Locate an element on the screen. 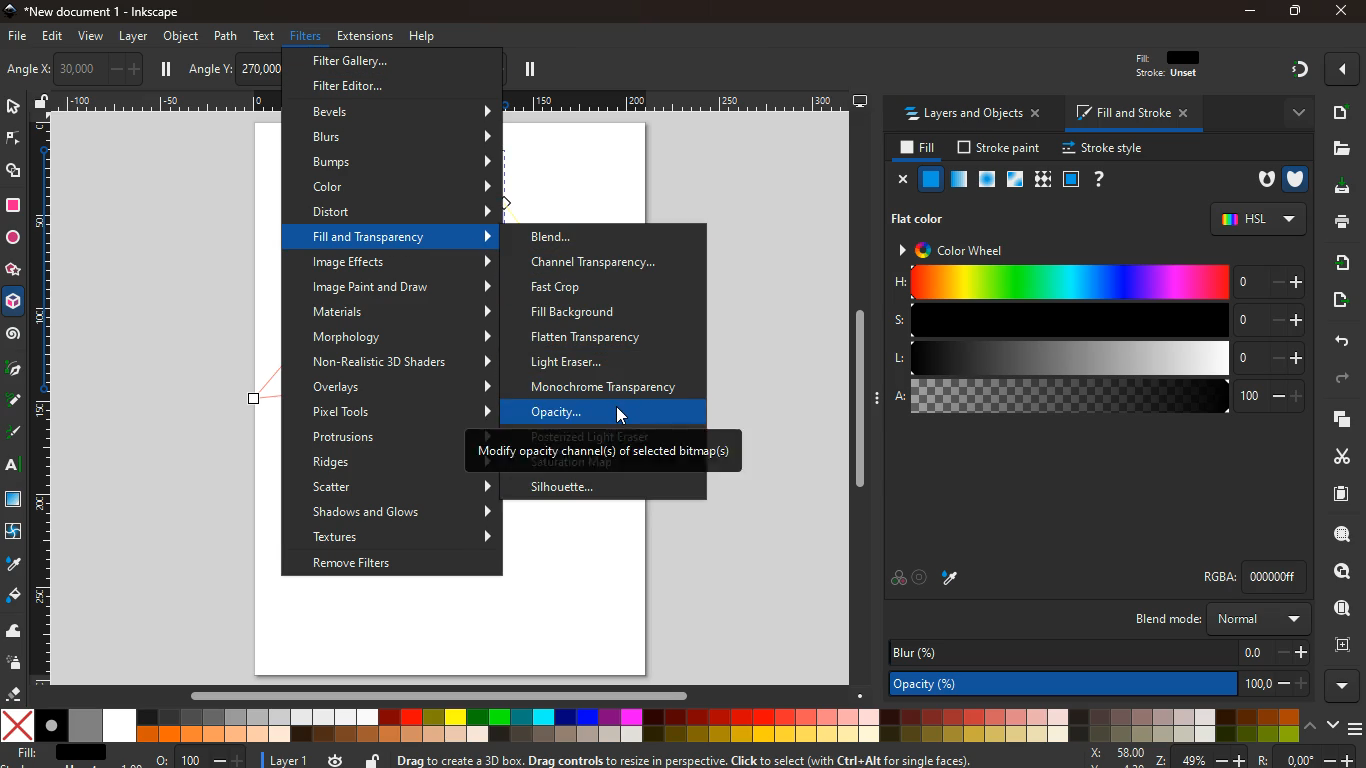  Scrollbar is located at coordinates (438, 693).